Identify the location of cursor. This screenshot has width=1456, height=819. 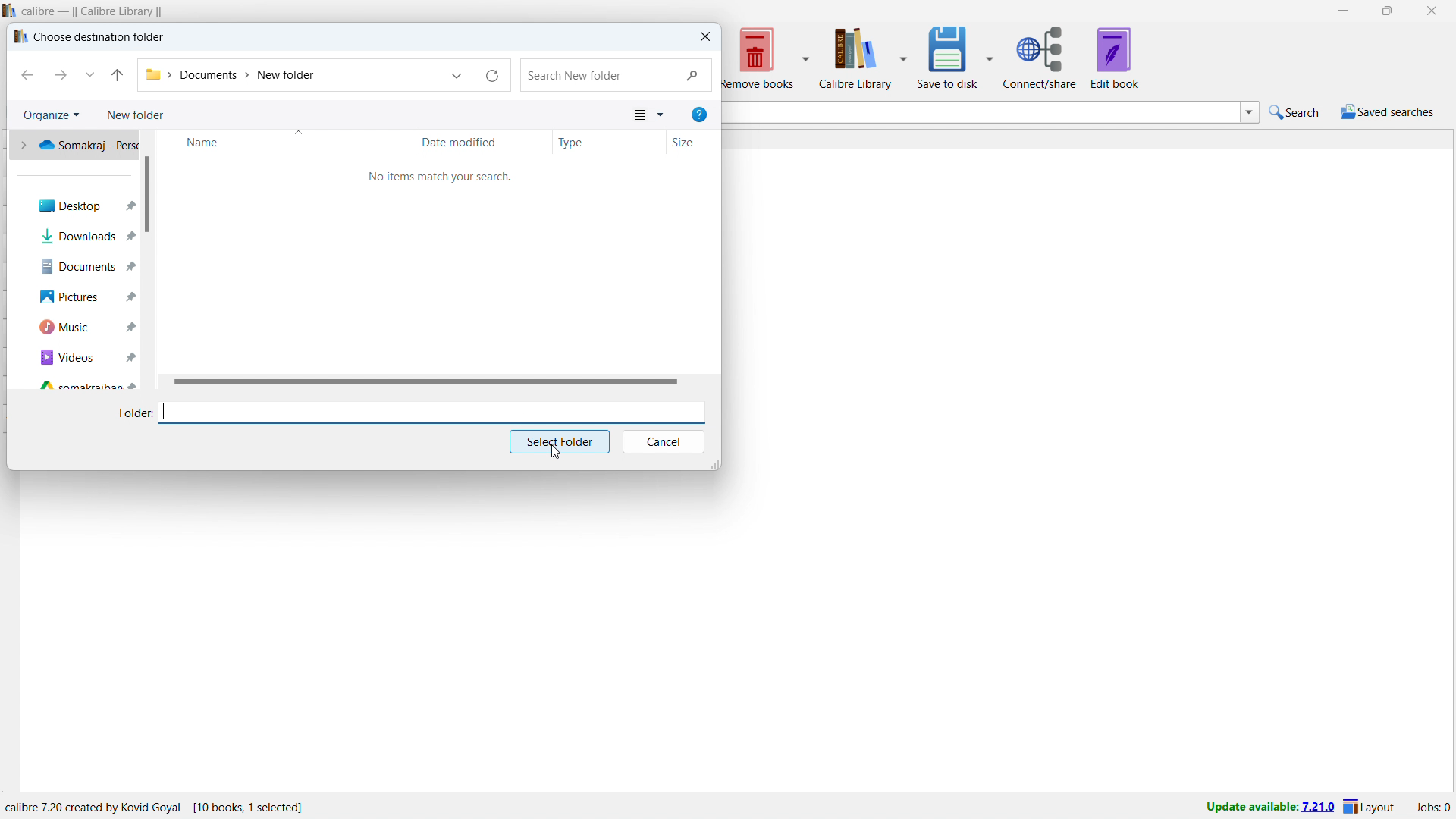
(552, 454).